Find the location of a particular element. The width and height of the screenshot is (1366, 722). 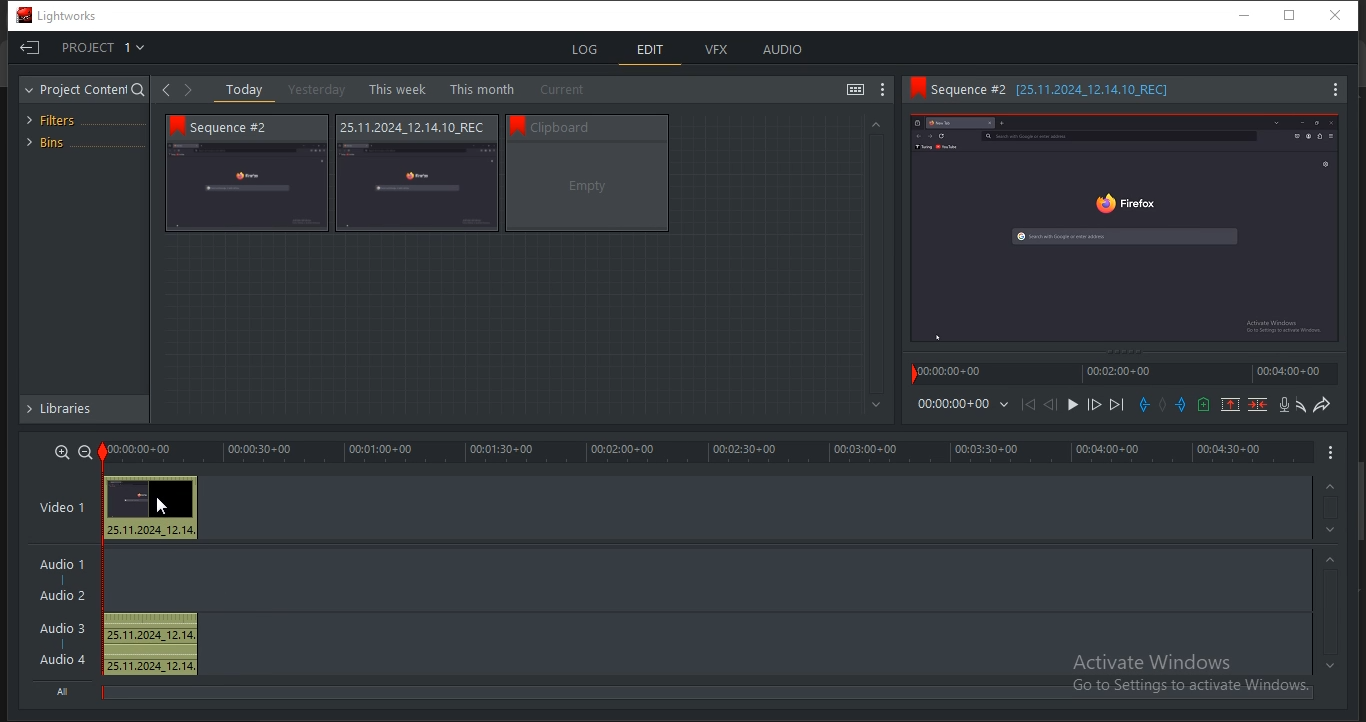

Sequence information is located at coordinates (602, 126).